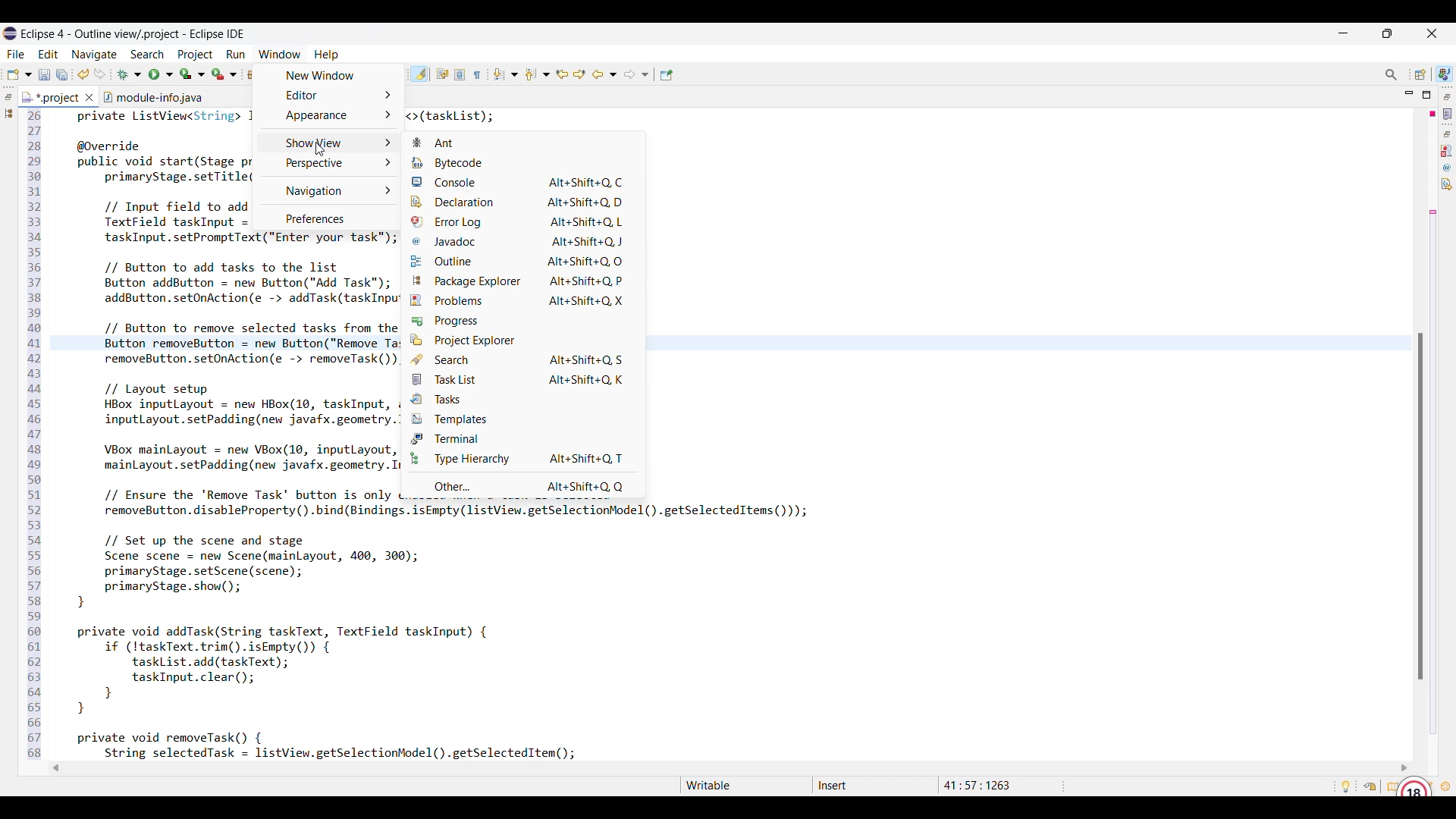 The image size is (1456, 819). I want to click on Show whitespace characters, so click(477, 75).